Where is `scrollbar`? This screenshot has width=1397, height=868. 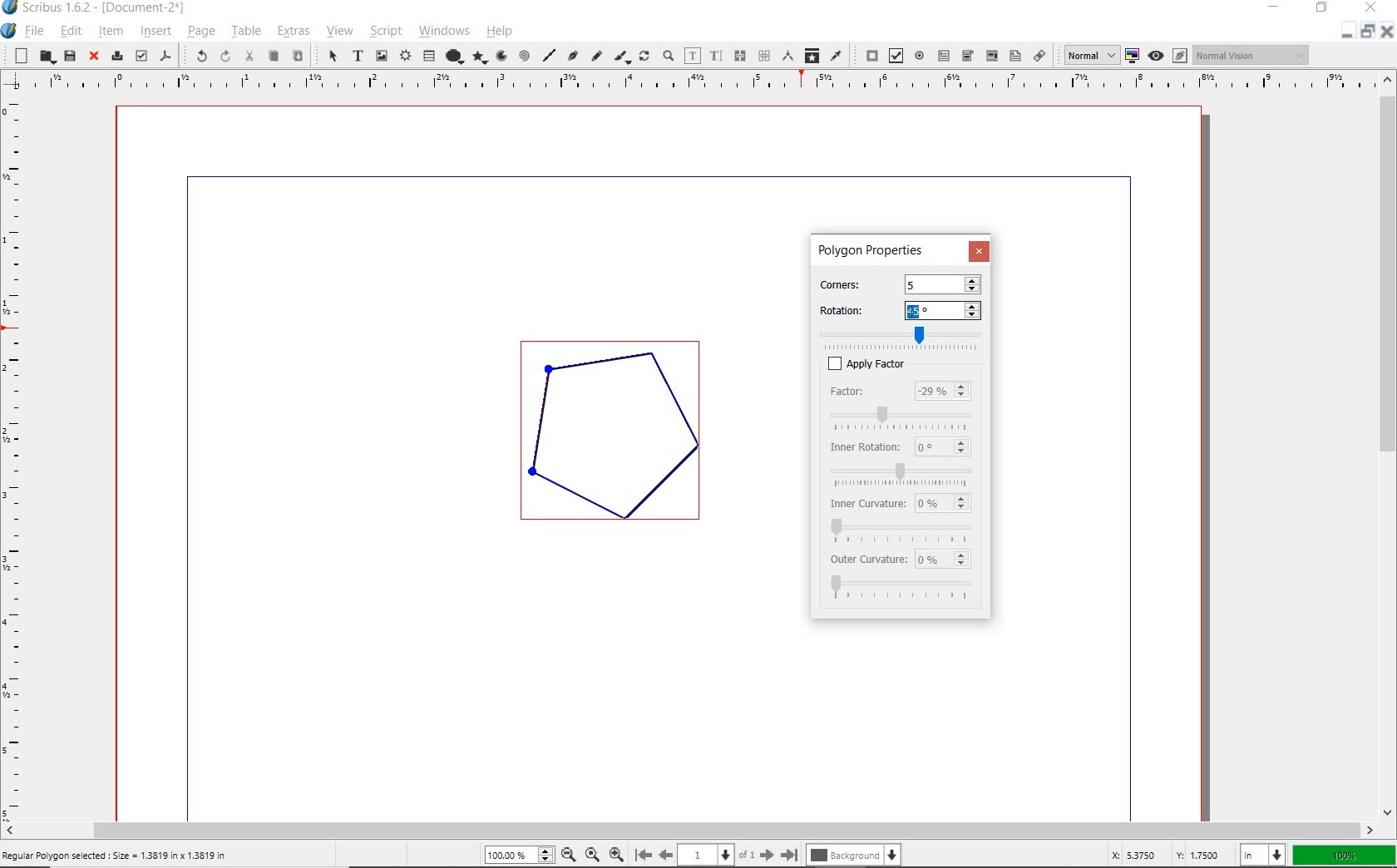 scrollbar is located at coordinates (688, 829).